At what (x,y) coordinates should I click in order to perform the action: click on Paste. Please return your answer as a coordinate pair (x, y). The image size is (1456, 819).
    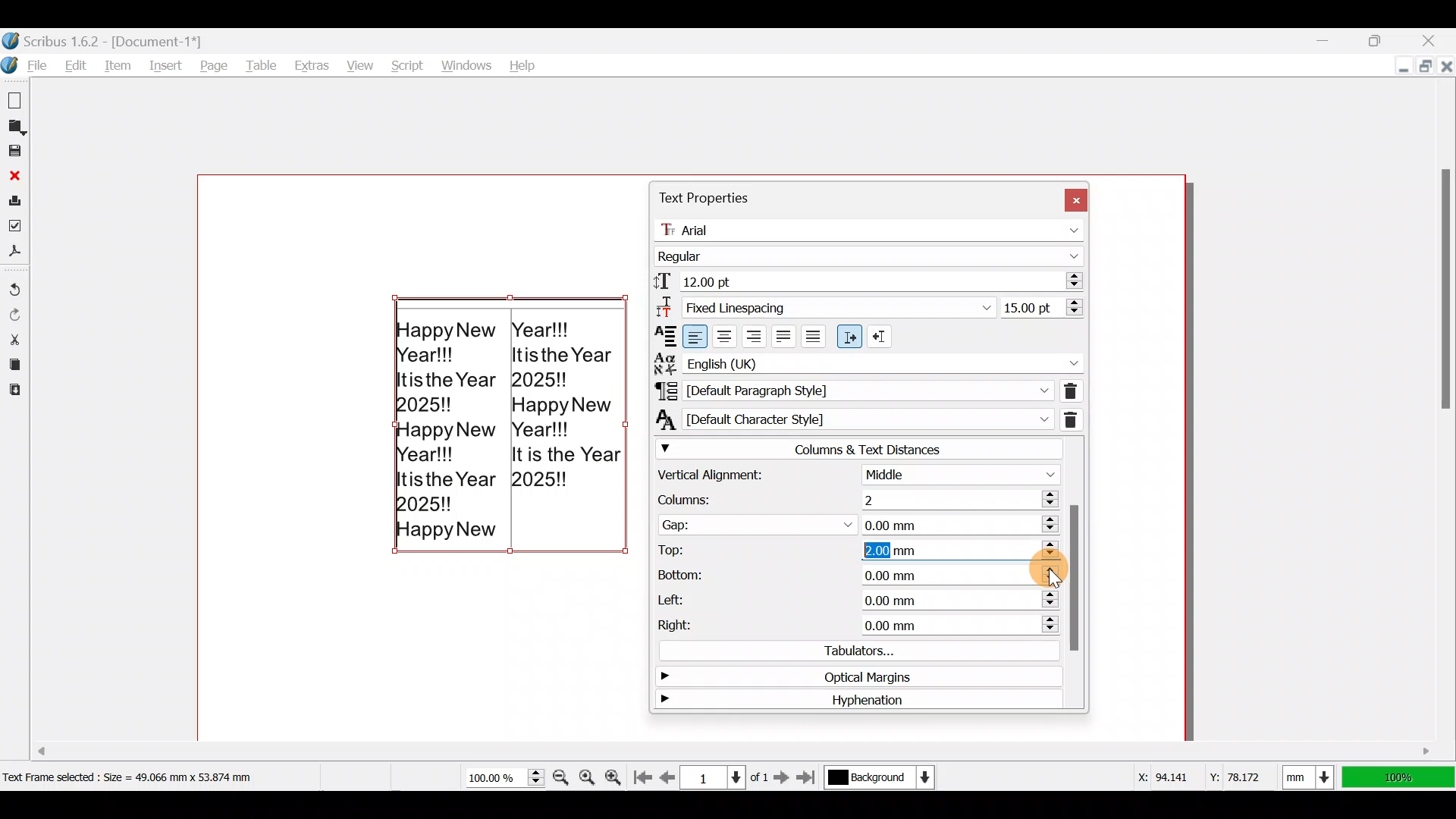
    Looking at the image, I should click on (14, 392).